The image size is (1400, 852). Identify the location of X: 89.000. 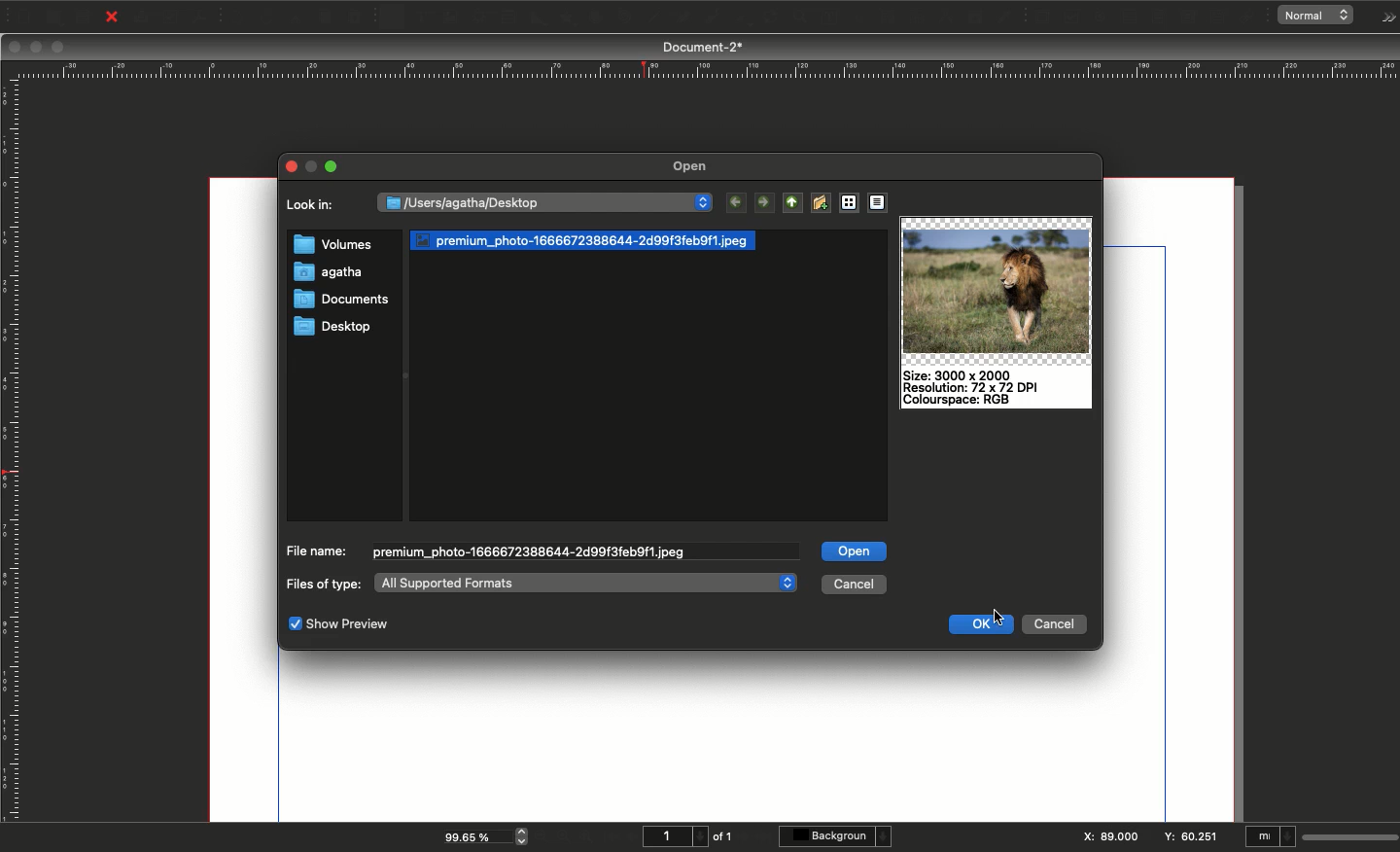
(1108, 837).